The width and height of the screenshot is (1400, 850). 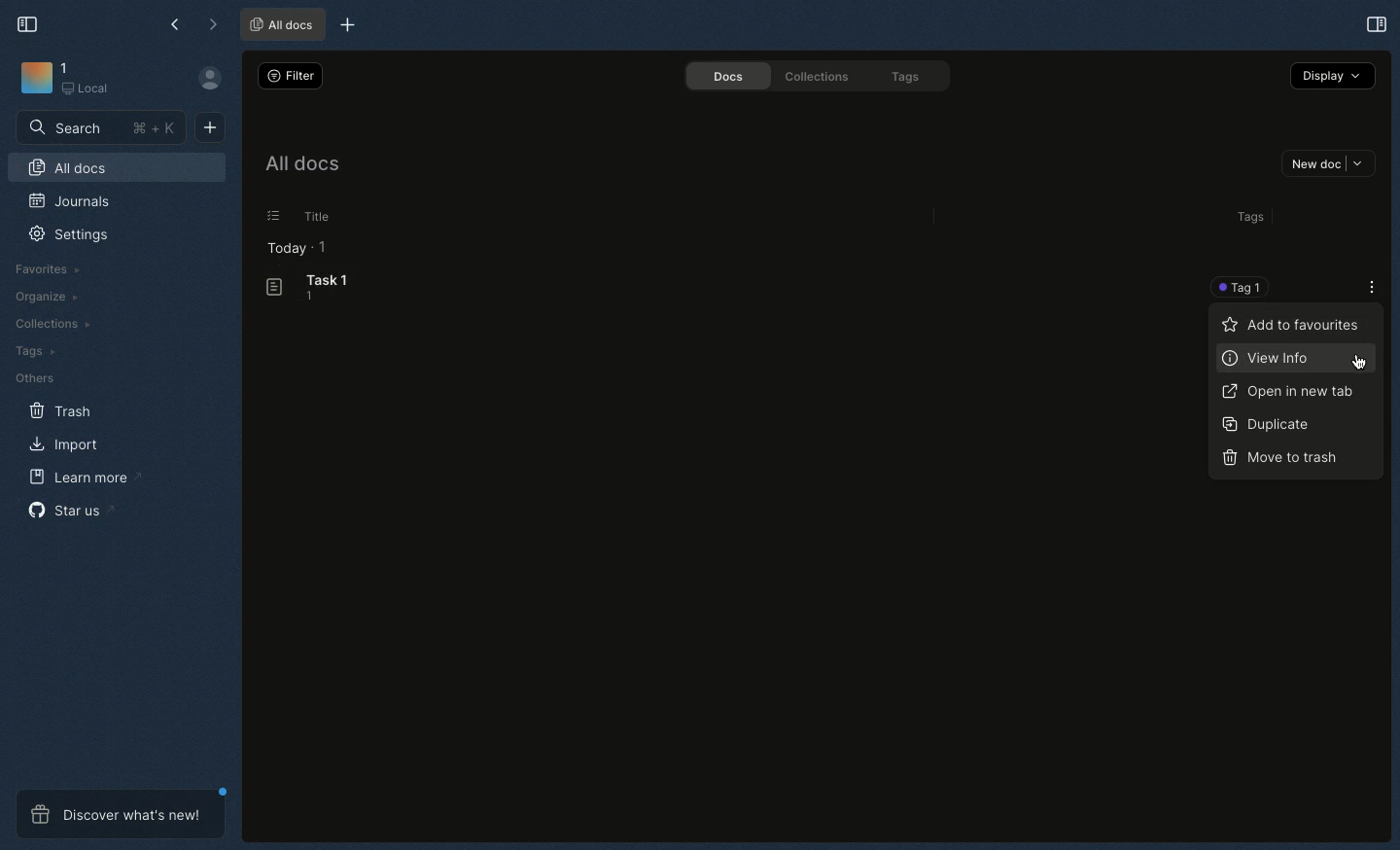 What do you see at coordinates (282, 24) in the screenshot?
I see `All docs` at bounding box center [282, 24].